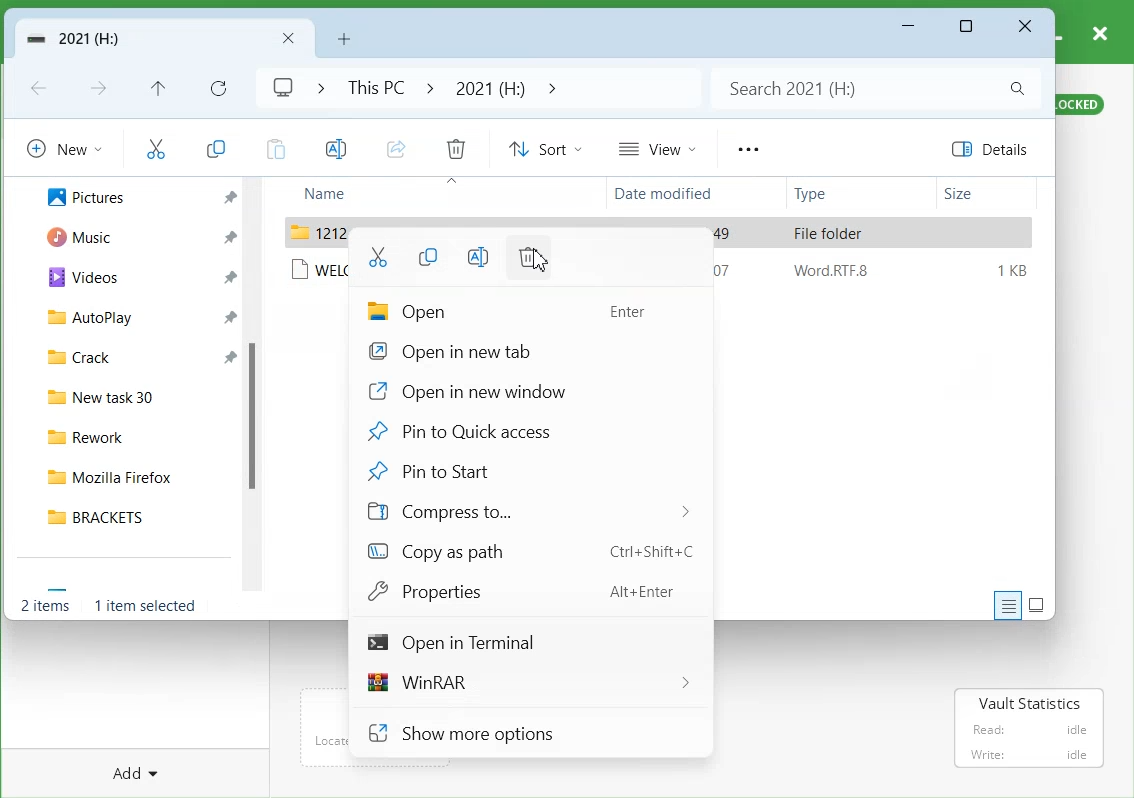  I want to click on Videos, so click(79, 278).